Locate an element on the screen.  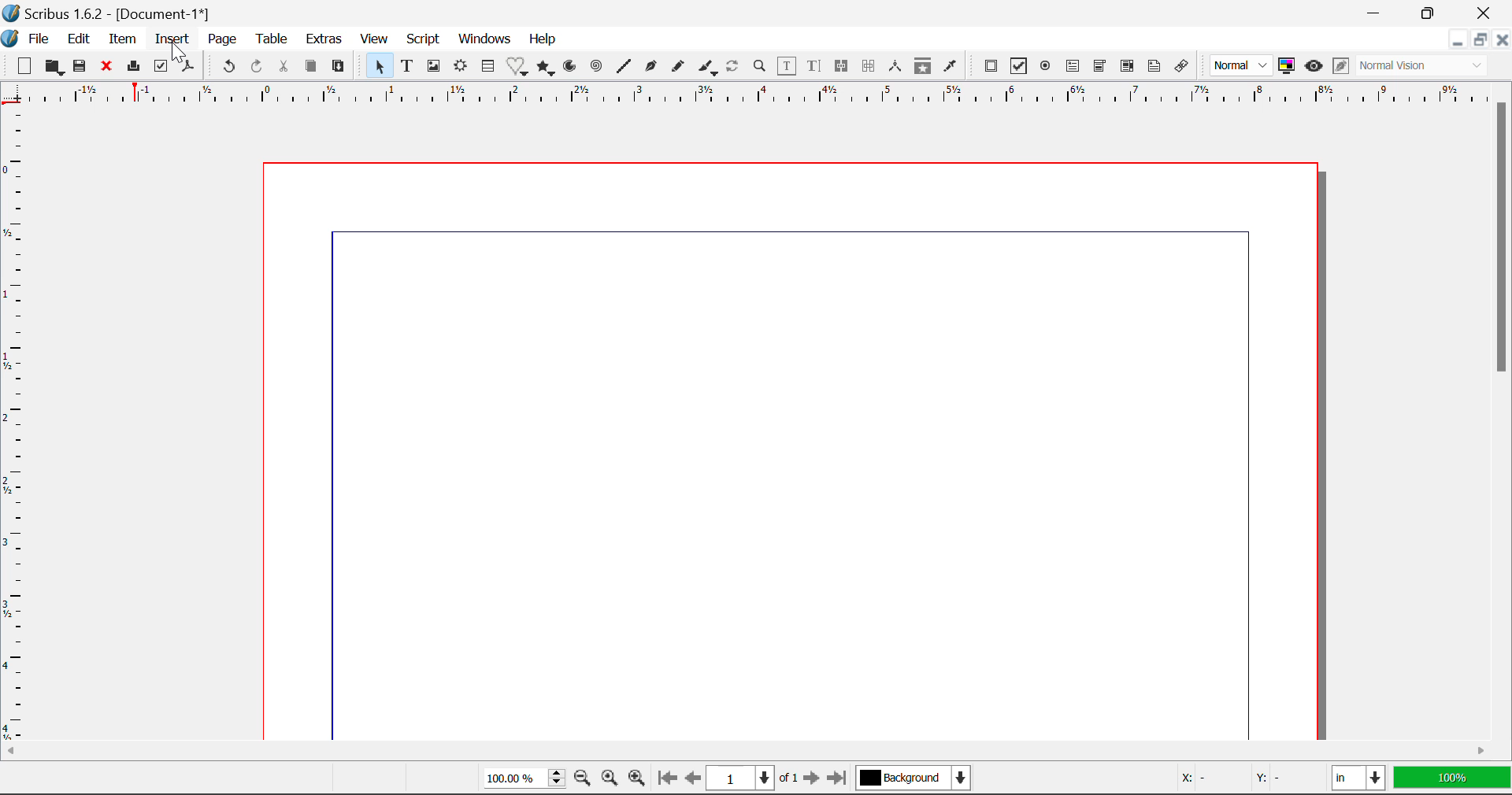
Select is located at coordinates (379, 66).